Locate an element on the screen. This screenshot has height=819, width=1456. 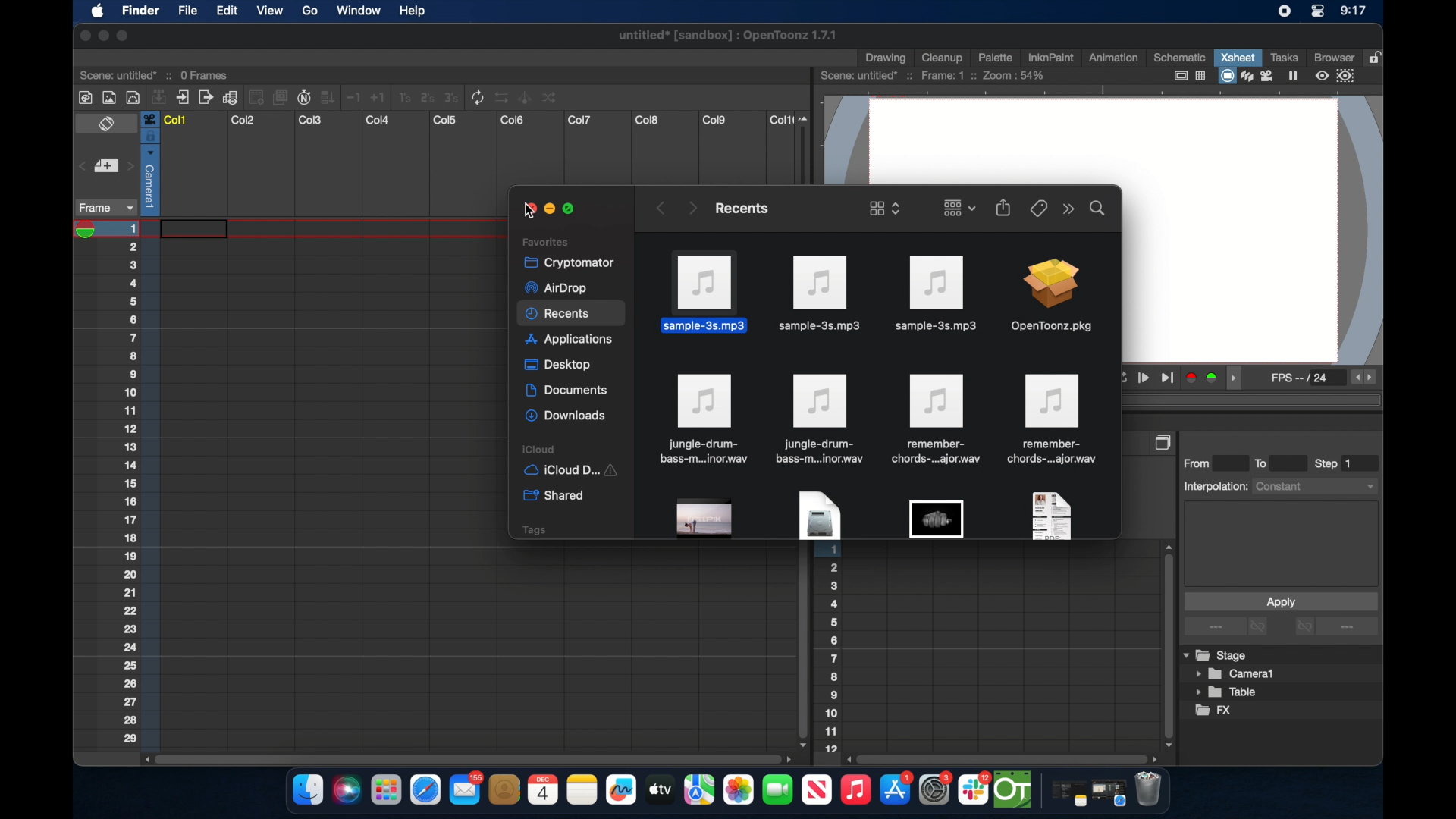
scene is located at coordinates (934, 76).